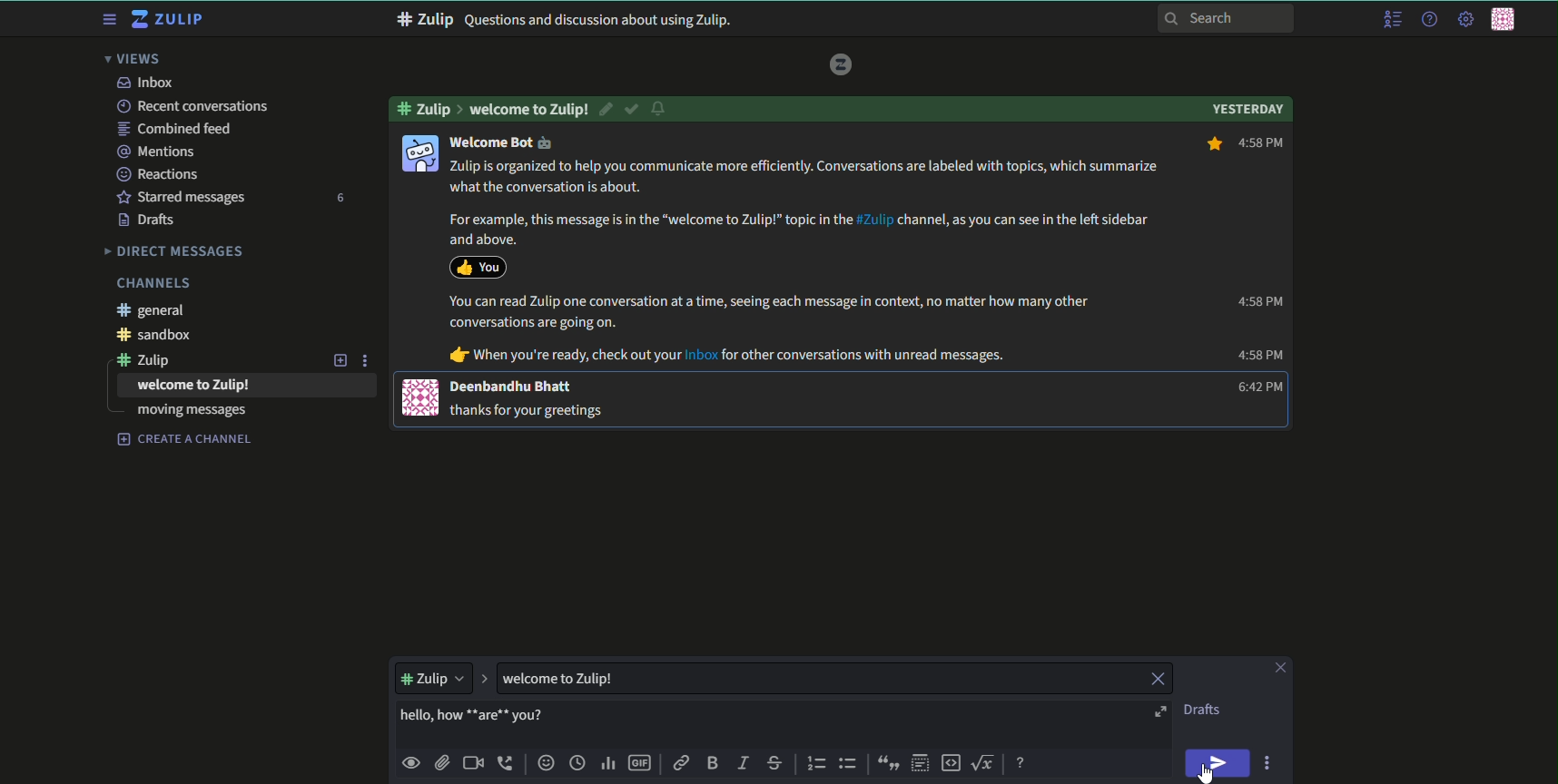  What do you see at coordinates (661, 110) in the screenshot?
I see `notification` at bounding box center [661, 110].